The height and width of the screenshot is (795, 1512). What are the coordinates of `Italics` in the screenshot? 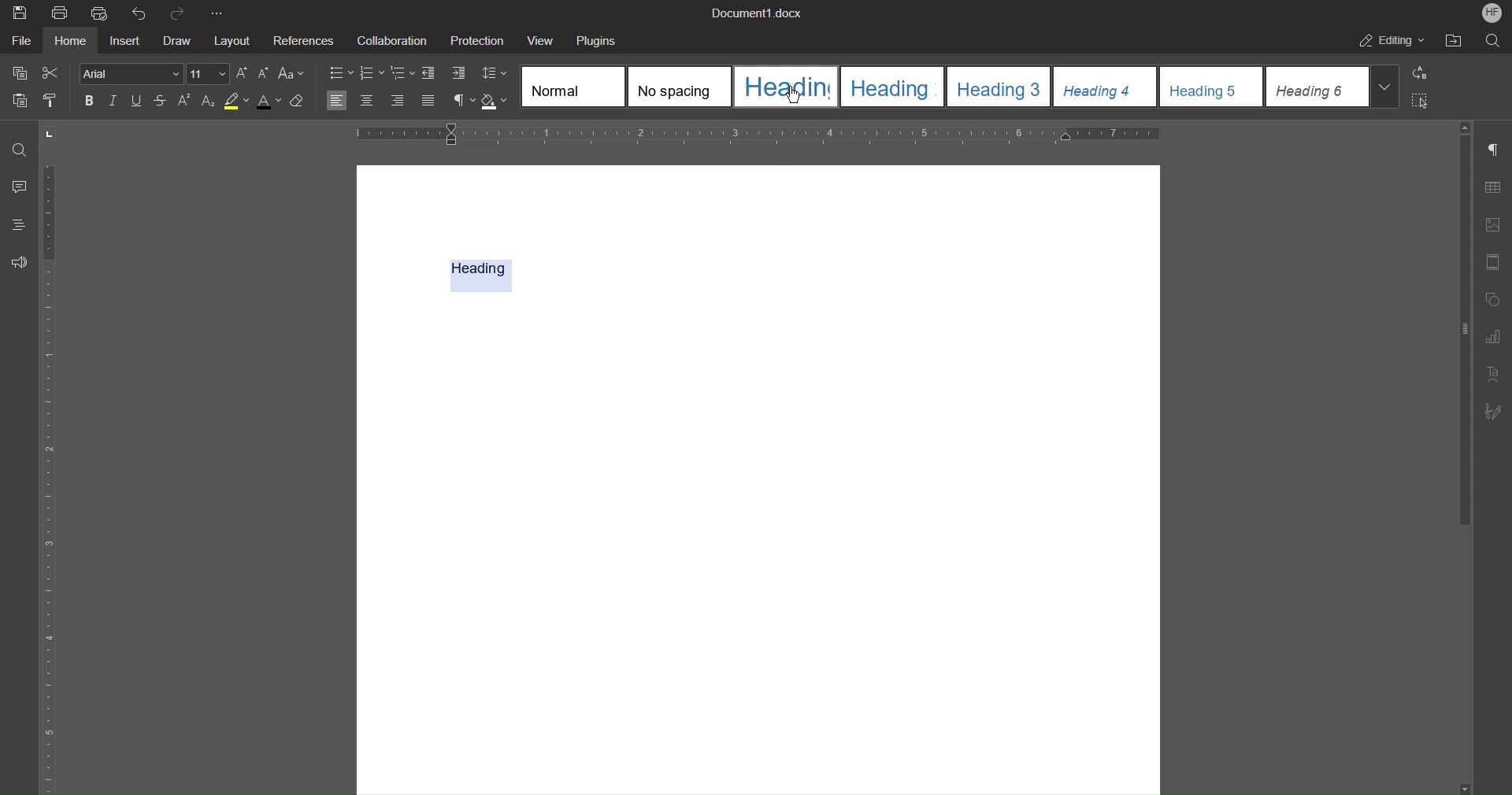 It's located at (113, 102).